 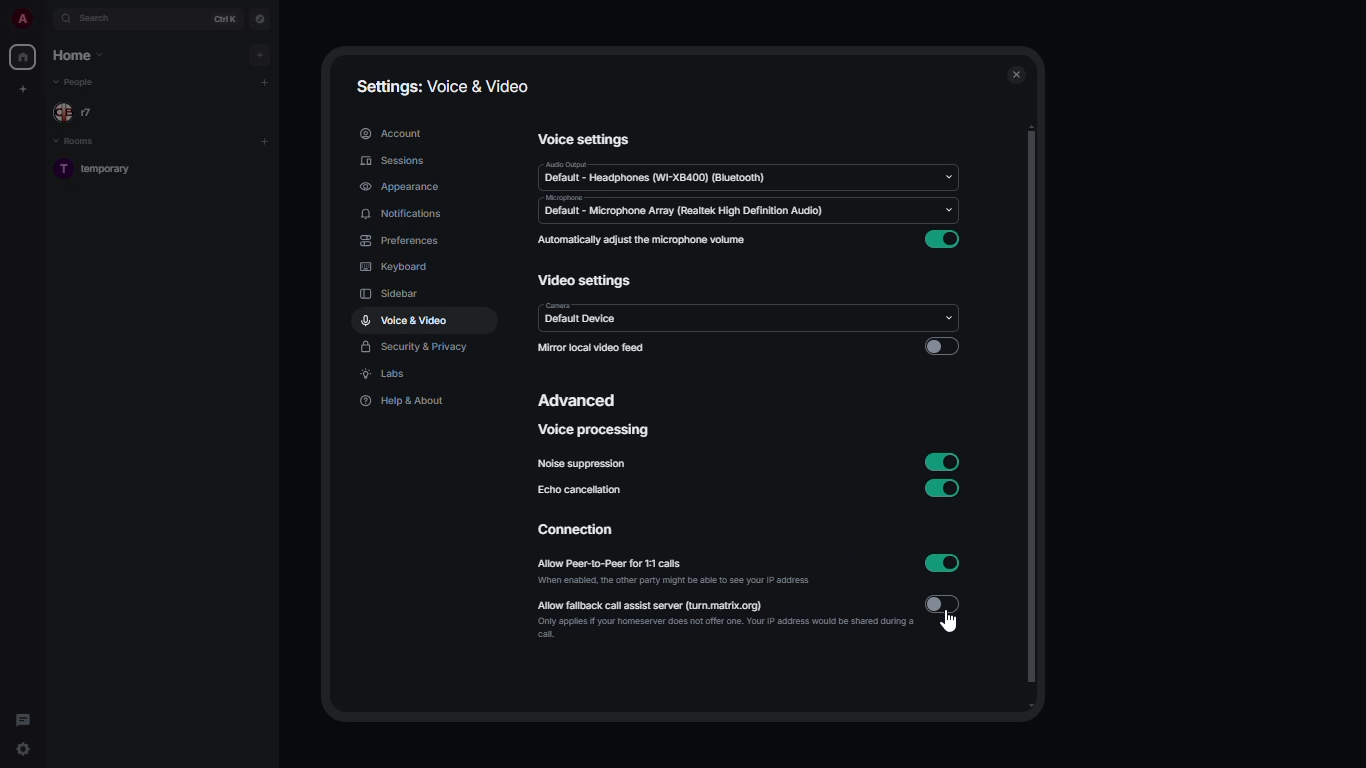 I want to click on microphone default, so click(x=684, y=207).